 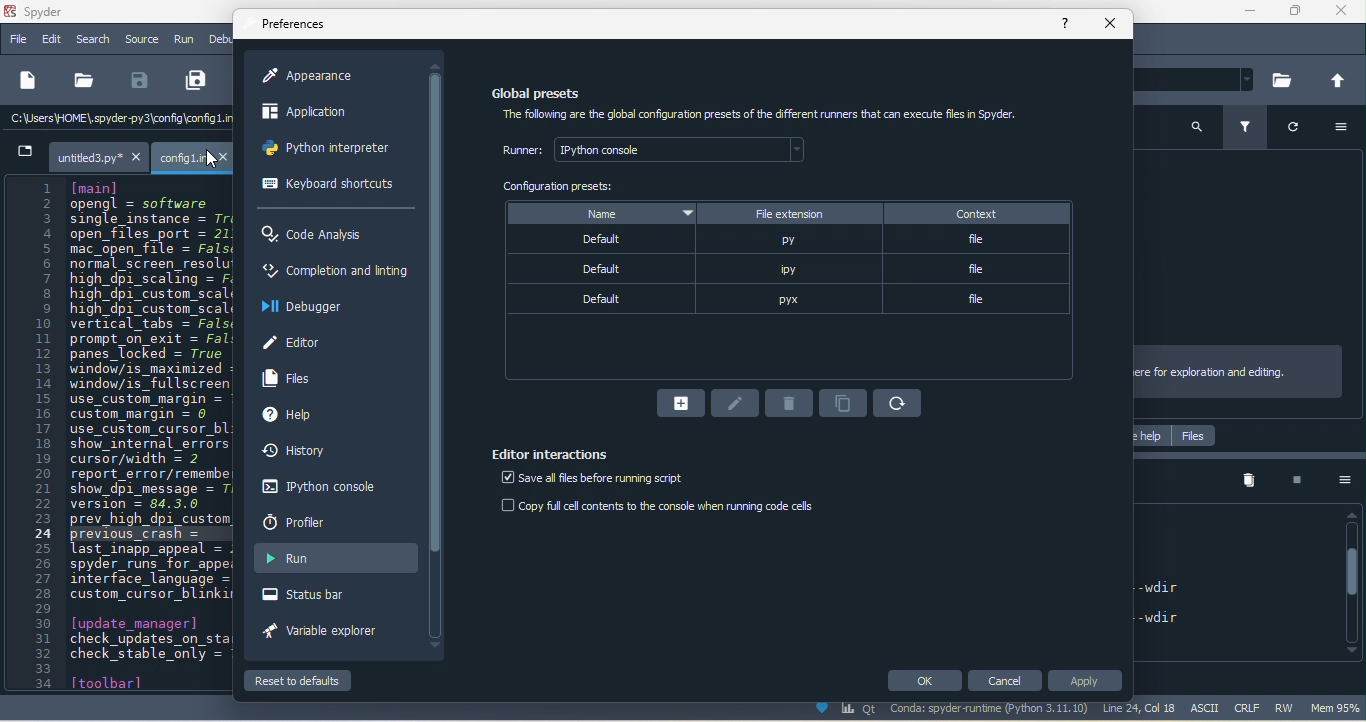 What do you see at coordinates (1343, 126) in the screenshot?
I see `option` at bounding box center [1343, 126].